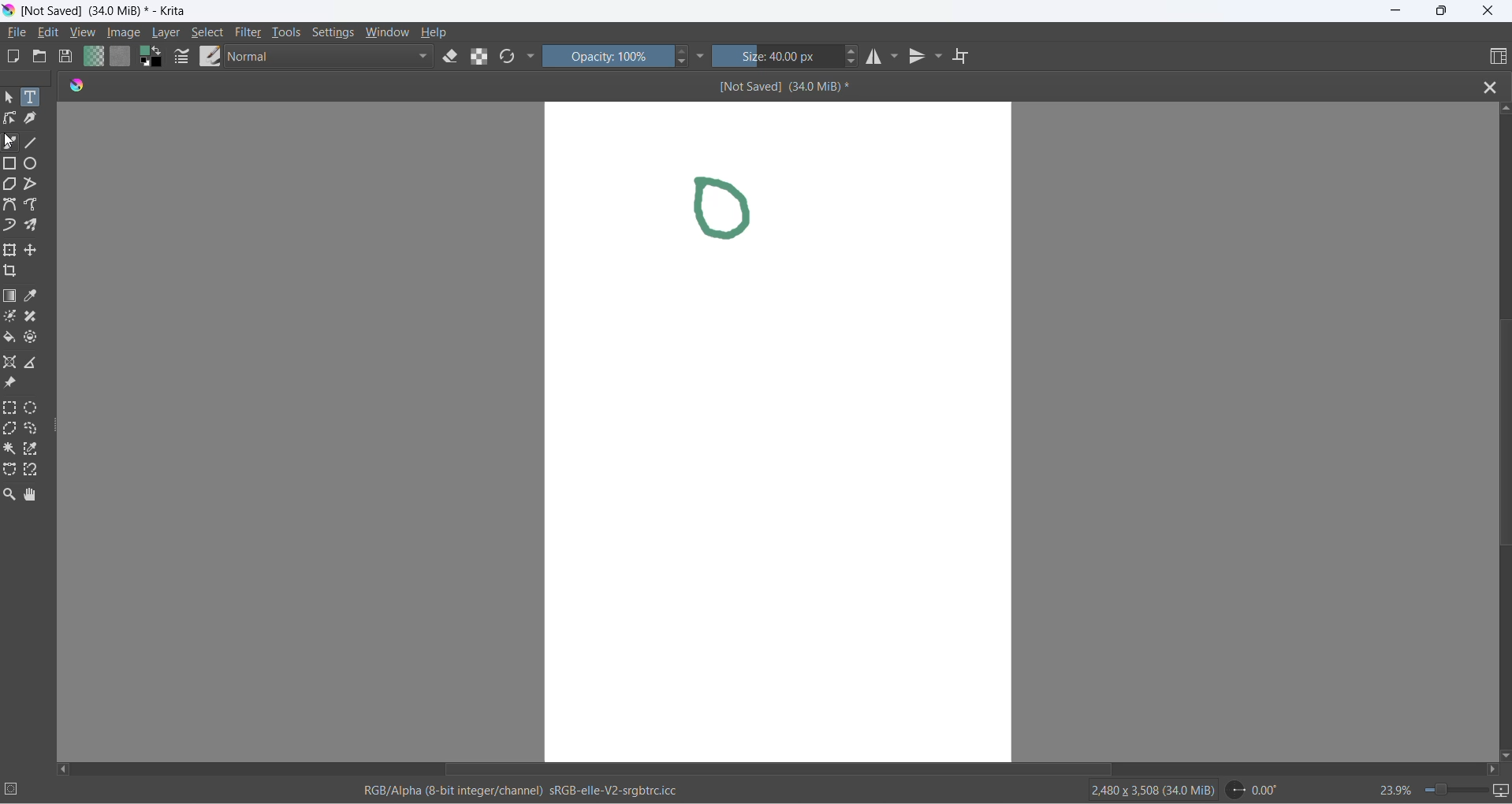 The height and width of the screenshot is (804, 1512). Describe the element at coordinates (1503, 754) in the screenshot. I see `scroll down button` at that location.